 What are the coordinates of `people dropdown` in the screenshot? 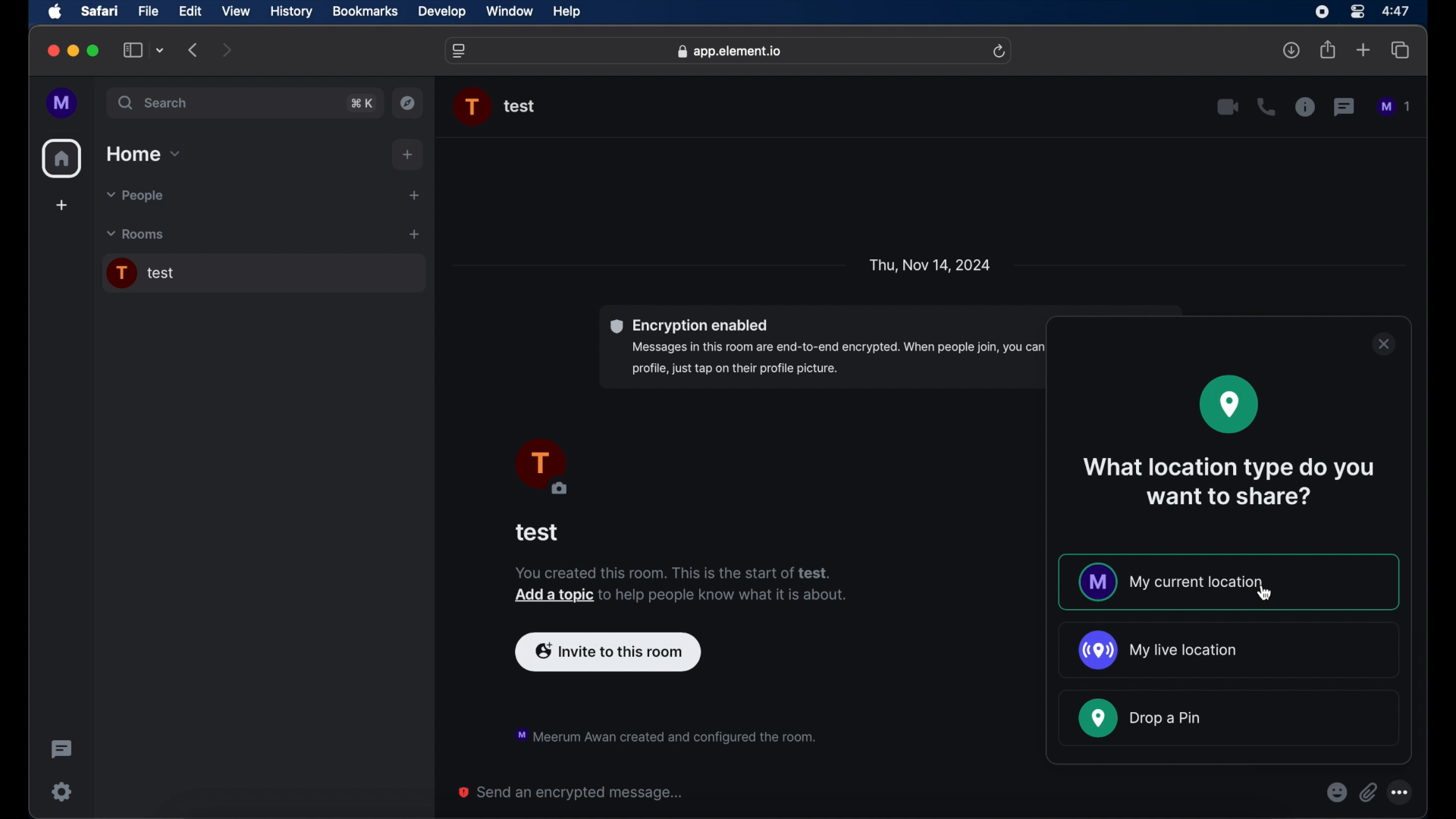 It's located at (133, 196).